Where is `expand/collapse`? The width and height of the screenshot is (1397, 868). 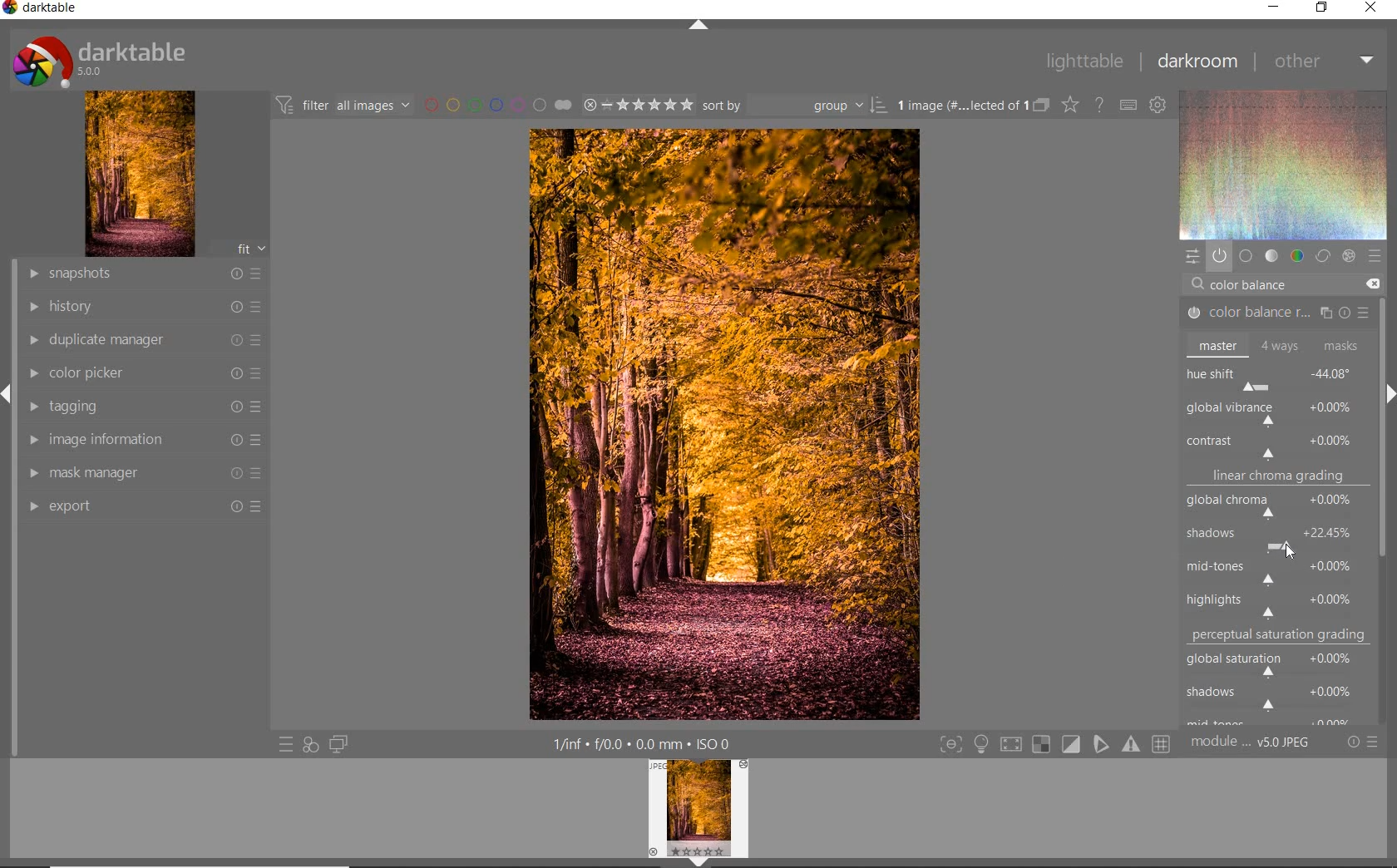
expand/collapse is located at coordinates (1389, 388).